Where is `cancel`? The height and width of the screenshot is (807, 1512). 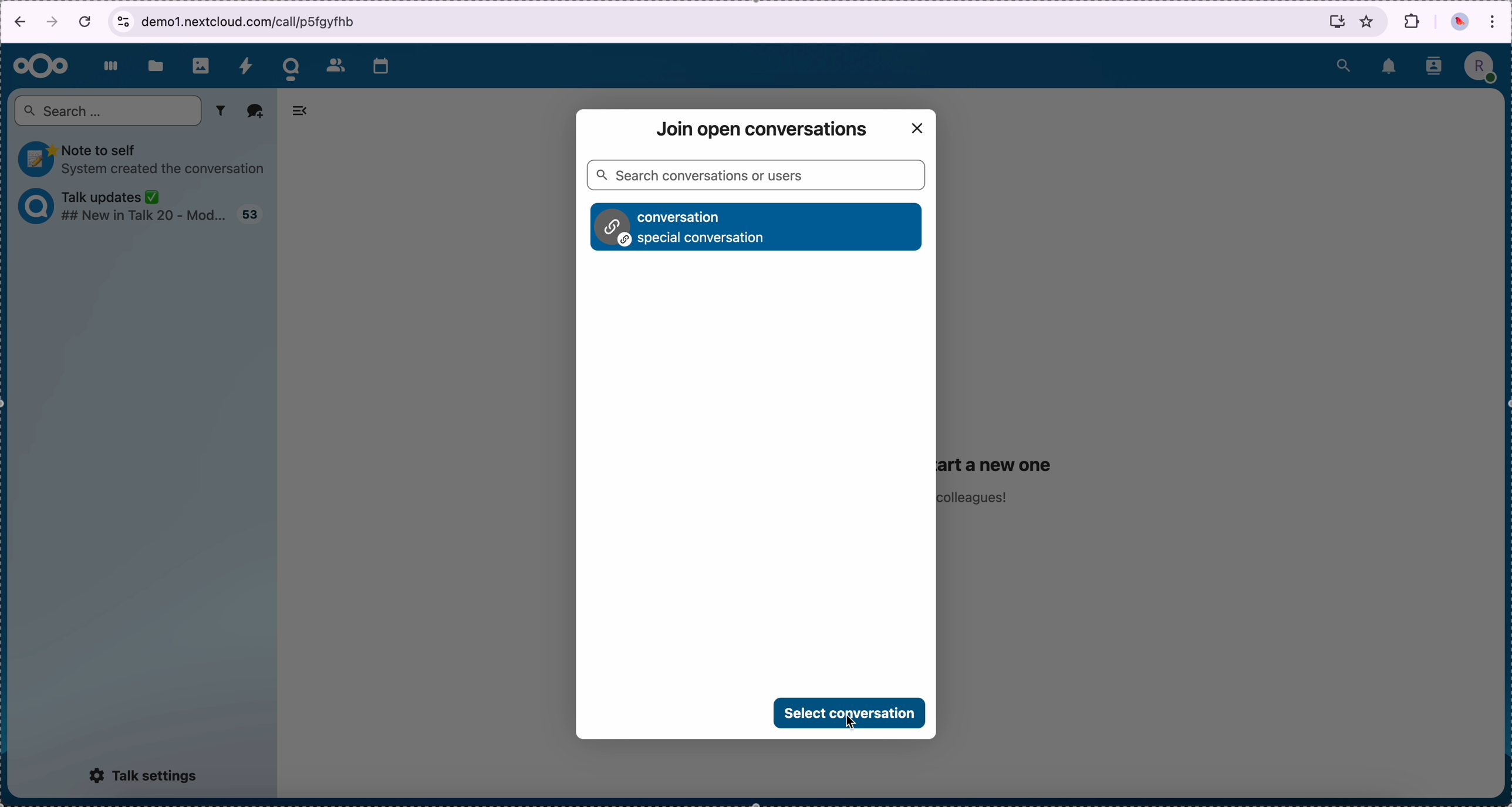
cancel is located at coordinates (86, 16).